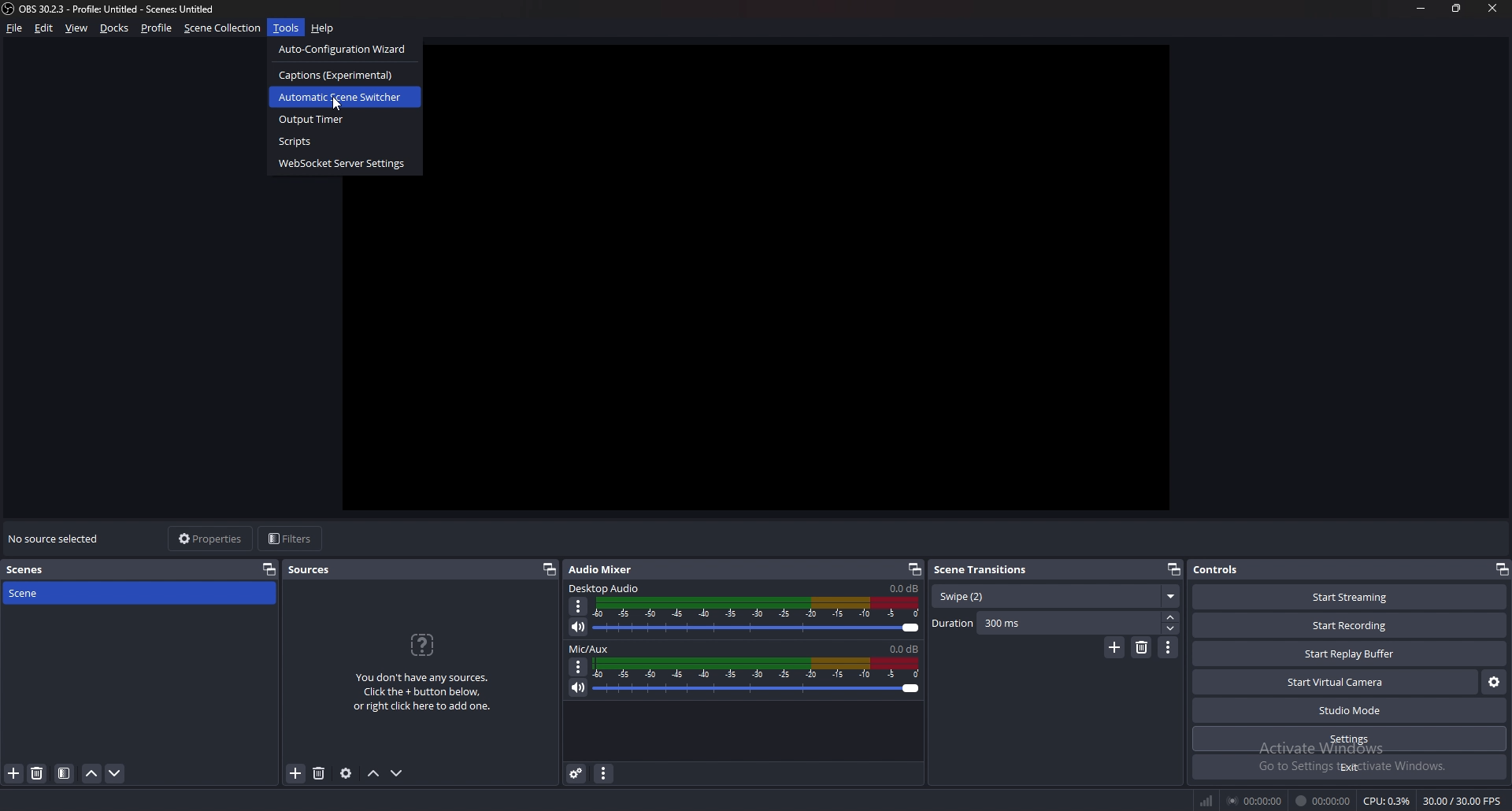 Image resolution: width=1512 pixels, height=811 pixels. What do you see at coordinates (346, 49) in the screenshot?
I see `auto configuration wizard` at bounding box center [346, 49].